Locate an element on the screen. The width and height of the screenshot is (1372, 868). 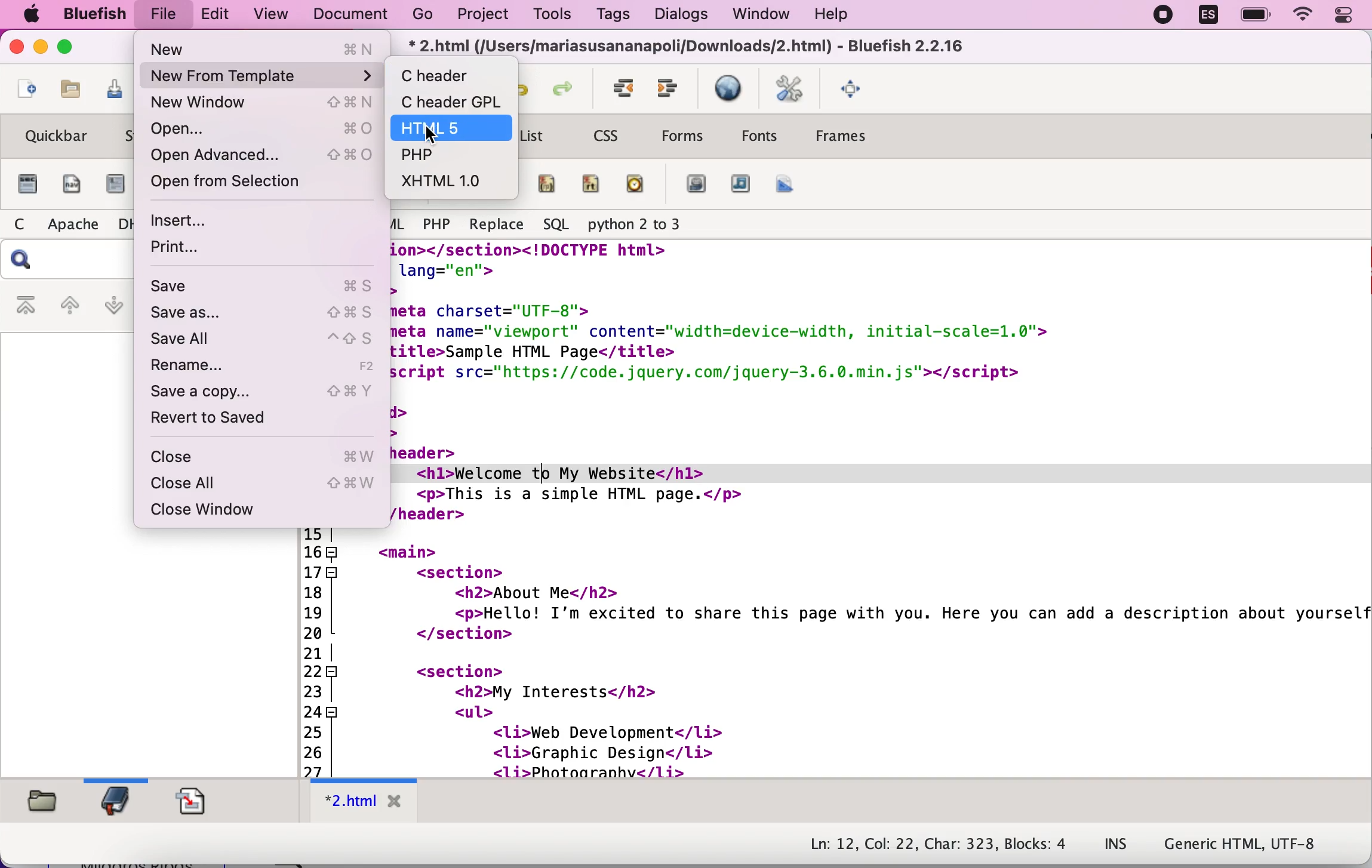
frames is located at coordinates (843, 137).